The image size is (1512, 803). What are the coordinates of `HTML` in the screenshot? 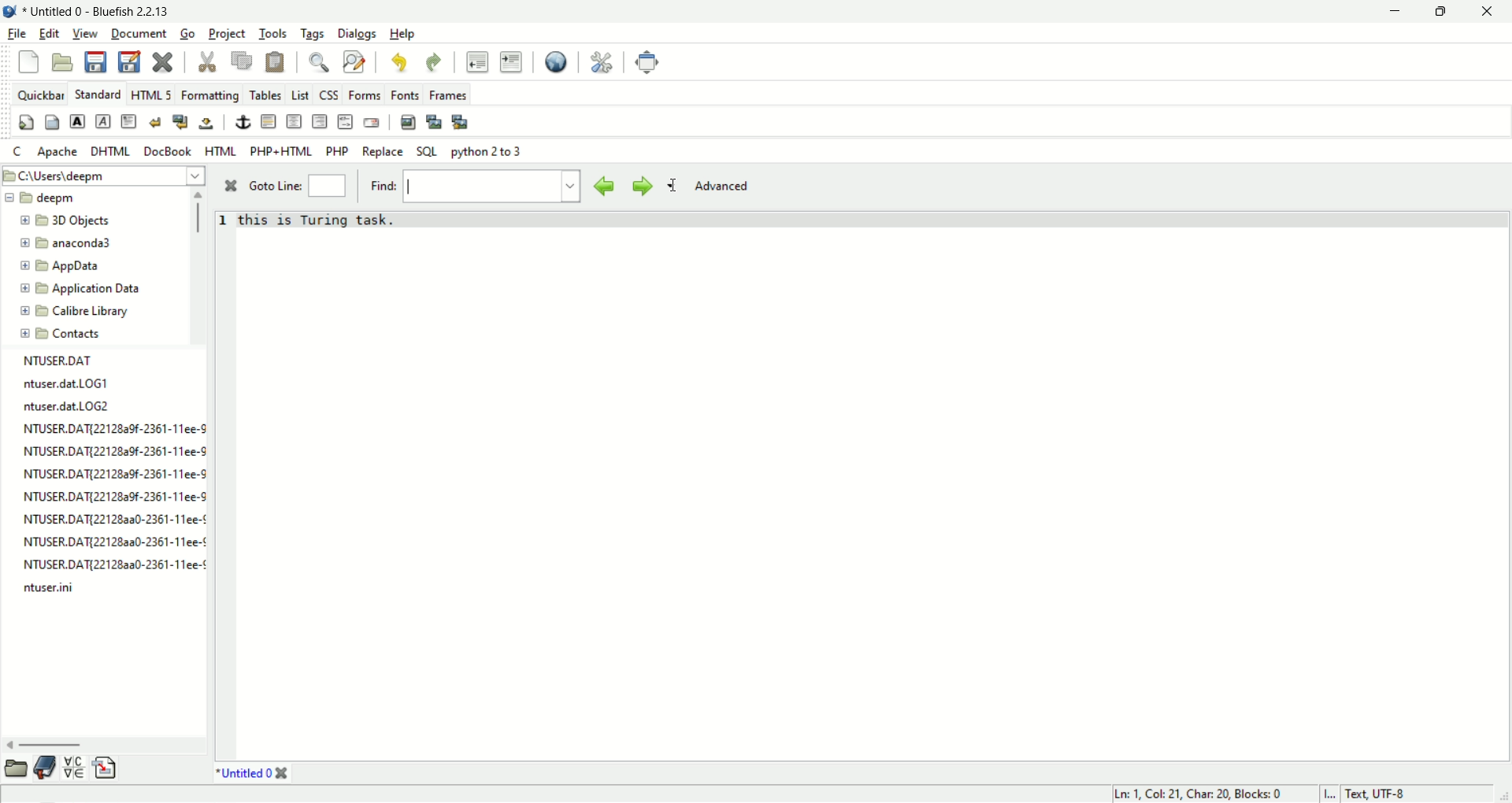 It's located at (222, 150).